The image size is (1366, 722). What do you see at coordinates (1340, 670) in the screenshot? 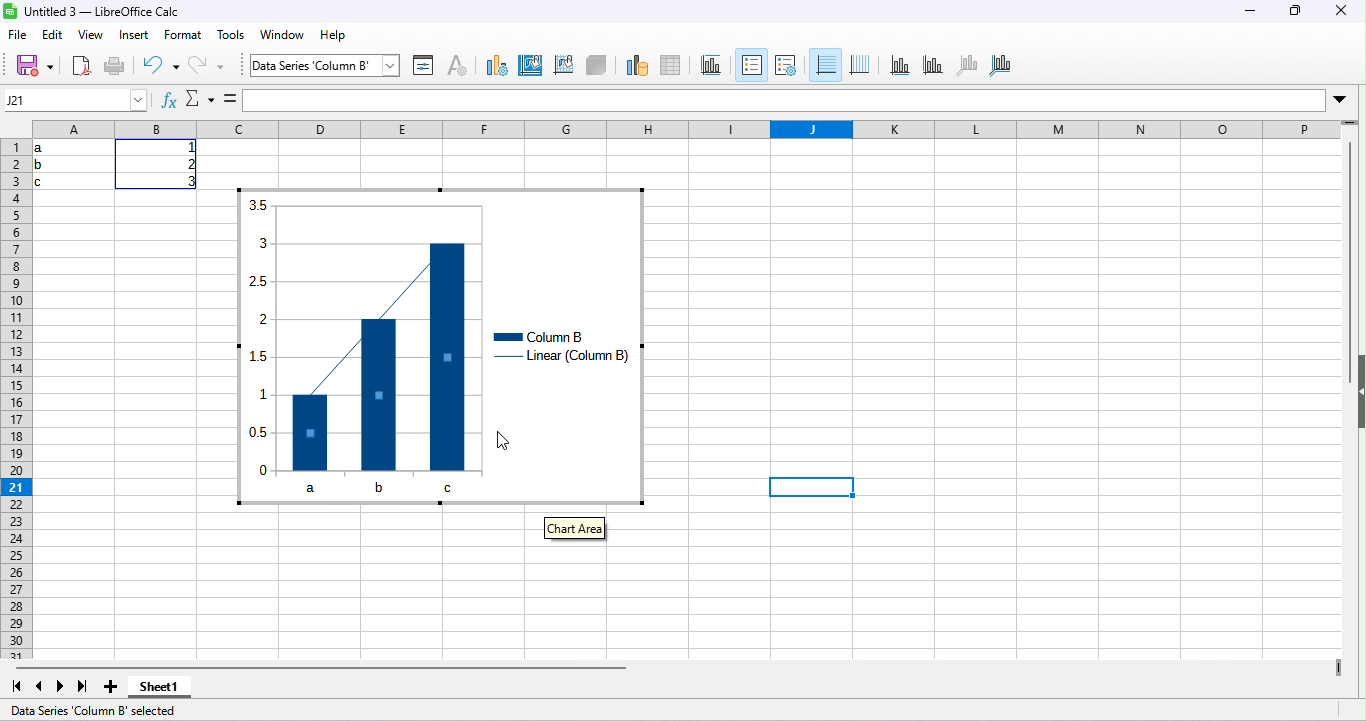
I see `view more columns` at bounding box center [1340, 670].